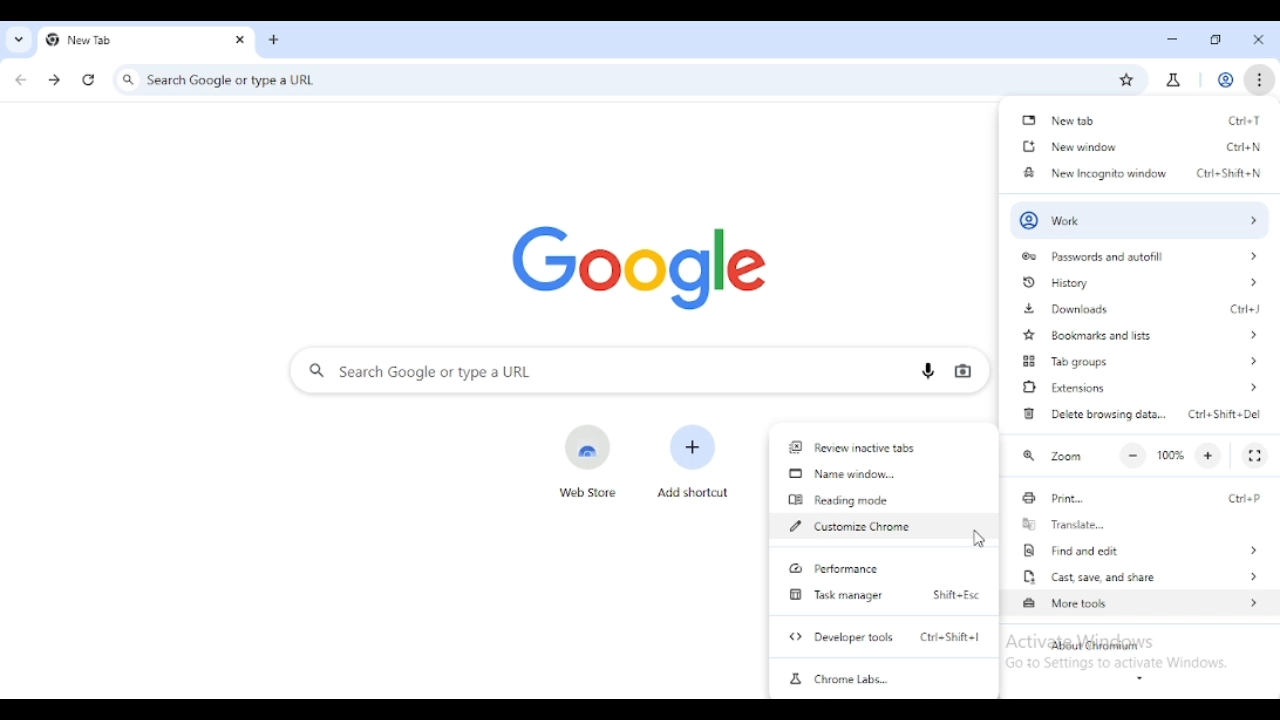 The width and height of the screenshot is (1280, 720). Describe the element at coordinates (963, 372) in the screenshot. I see `search by image` at that location.